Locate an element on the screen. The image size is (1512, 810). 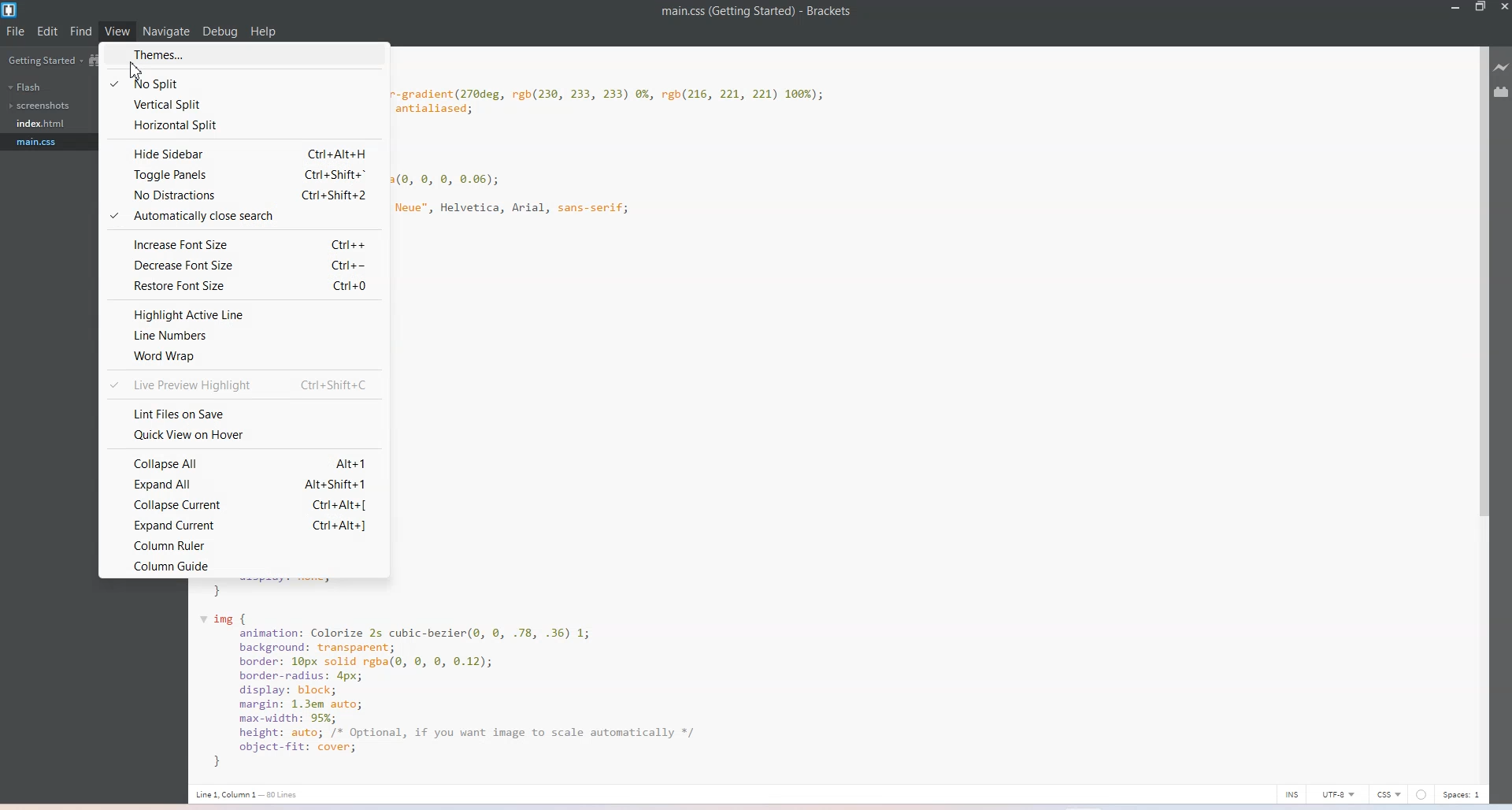
No split is located at coordinates (244, 81).